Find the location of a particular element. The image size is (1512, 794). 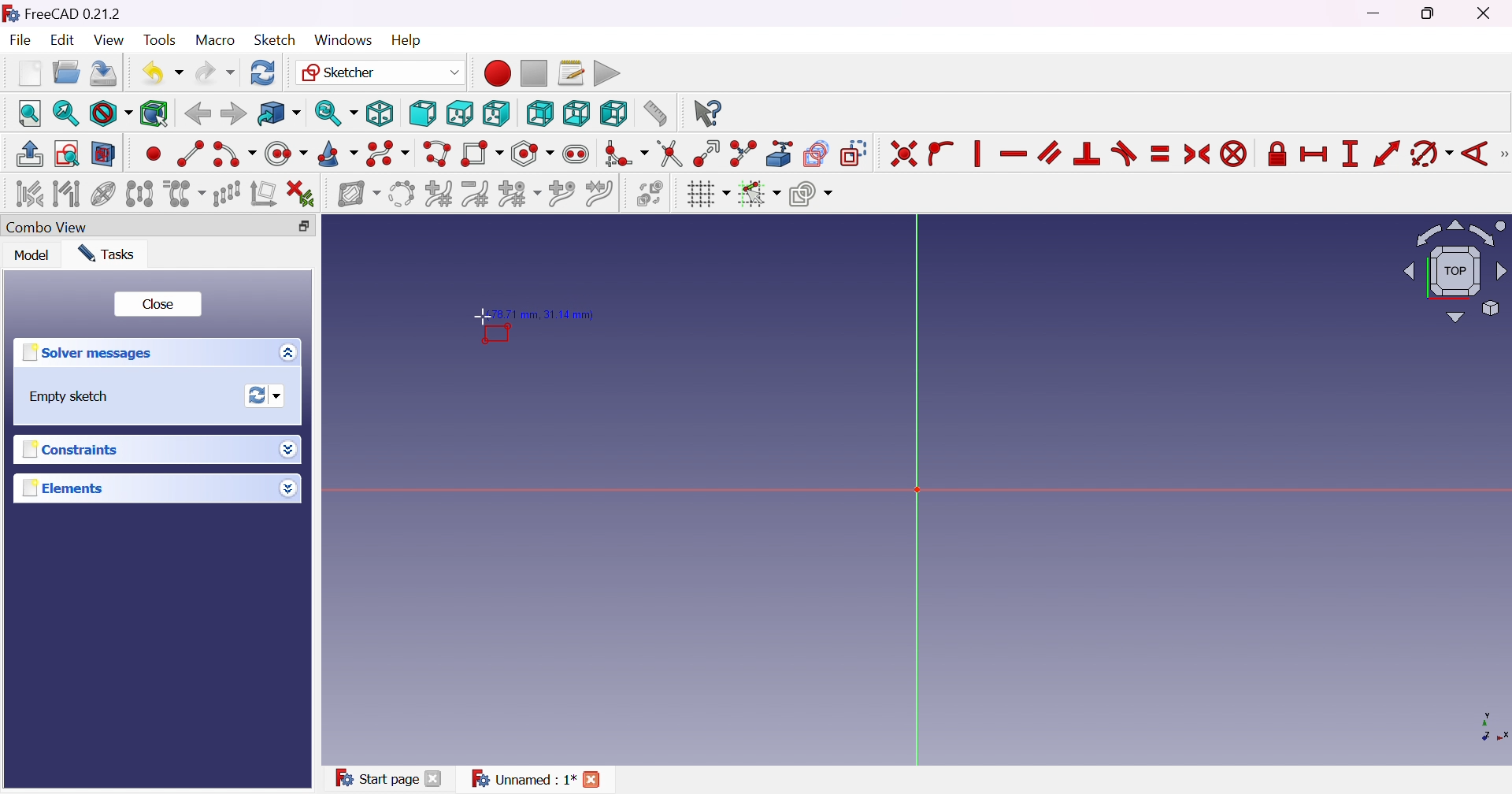

FreeCAD 0.21.2 is located at coordinates (61, 11).